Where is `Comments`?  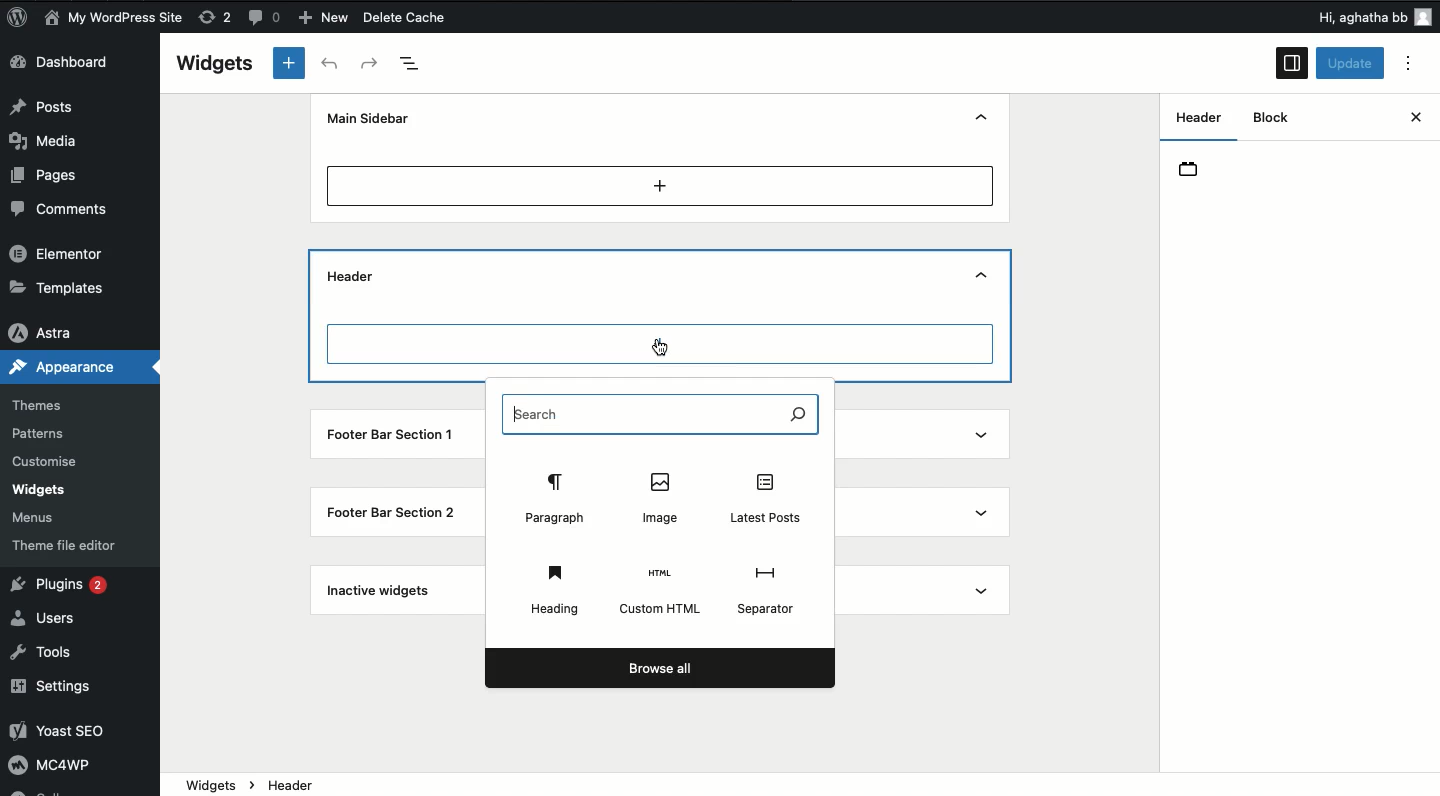 Comments is located at coordinates (63, 209).